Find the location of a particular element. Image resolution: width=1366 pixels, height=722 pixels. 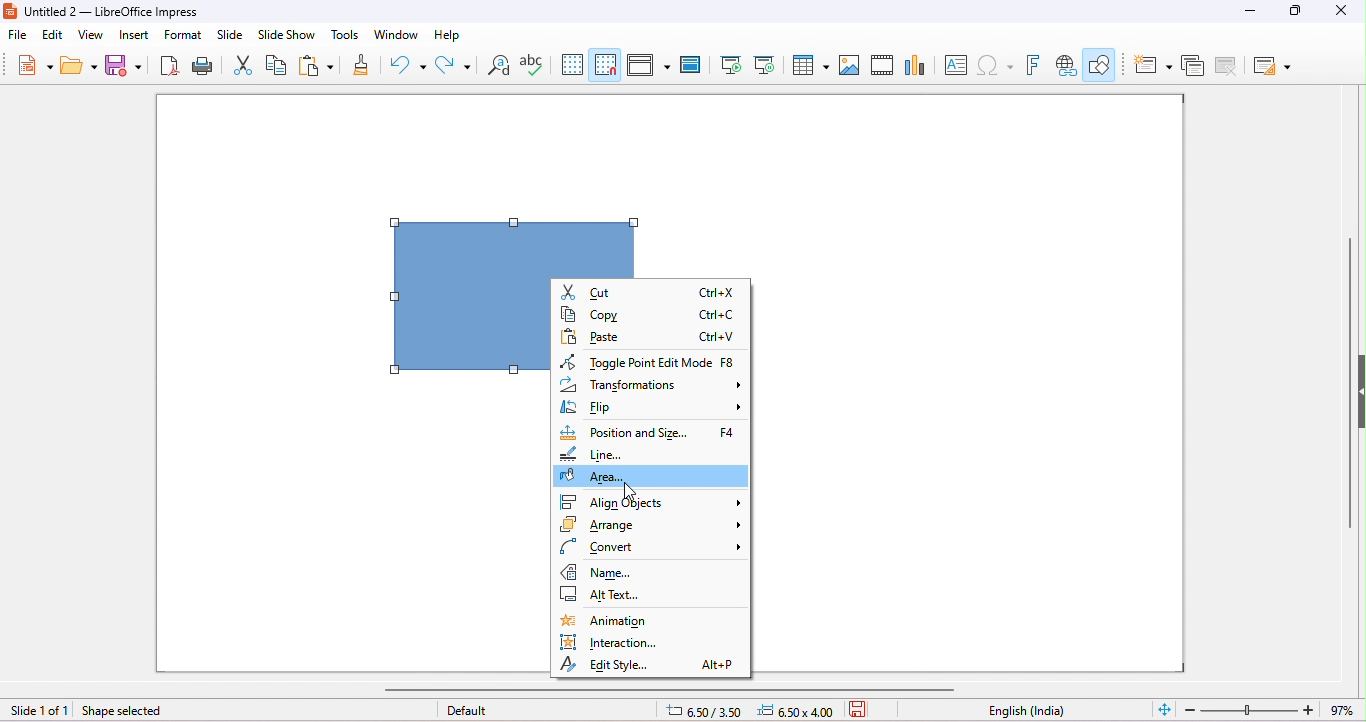

display grid is located at coordinates (573, 64).